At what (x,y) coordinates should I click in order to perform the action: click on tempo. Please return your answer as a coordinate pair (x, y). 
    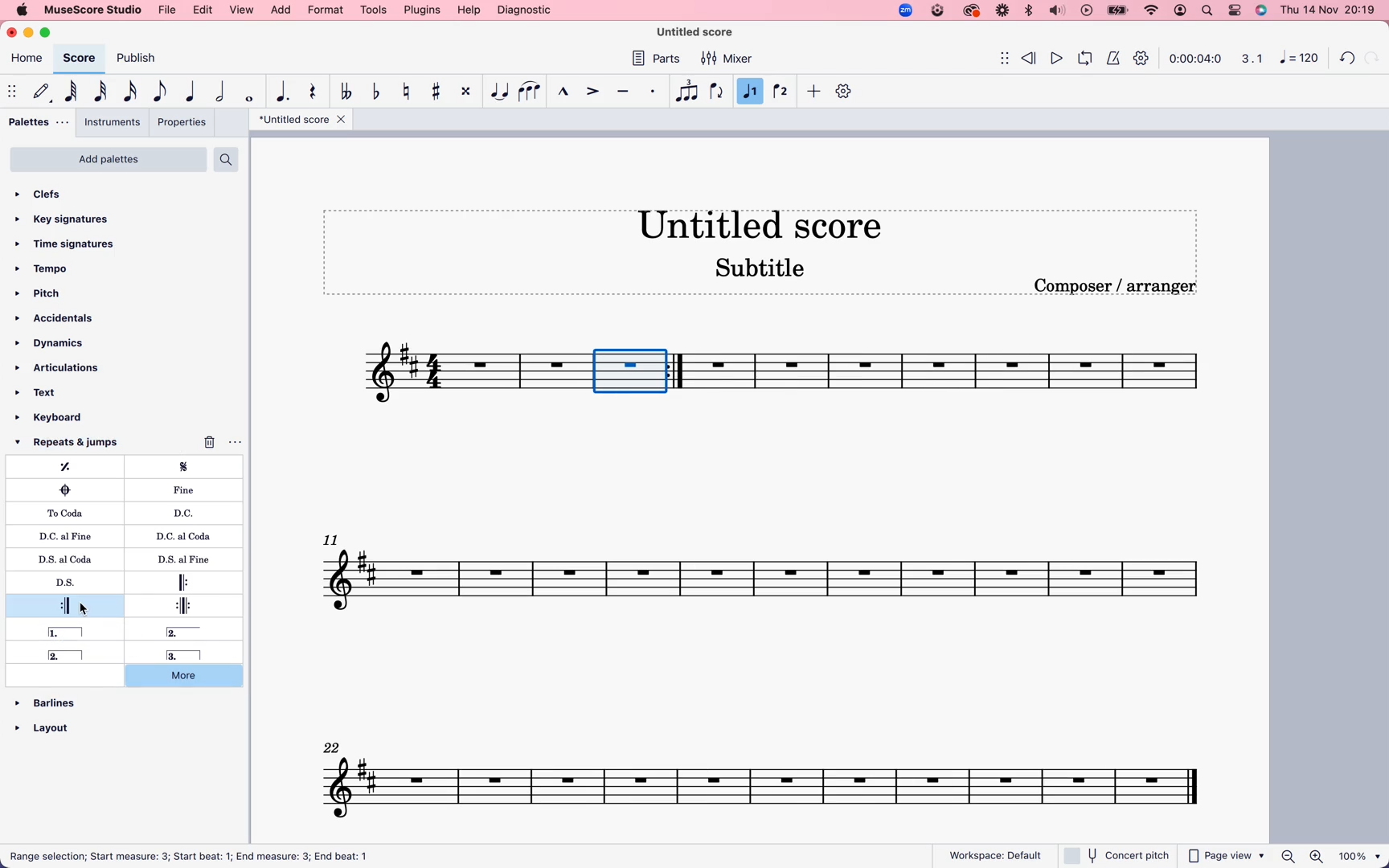
    Looking at the image, I should click on (51, 269).